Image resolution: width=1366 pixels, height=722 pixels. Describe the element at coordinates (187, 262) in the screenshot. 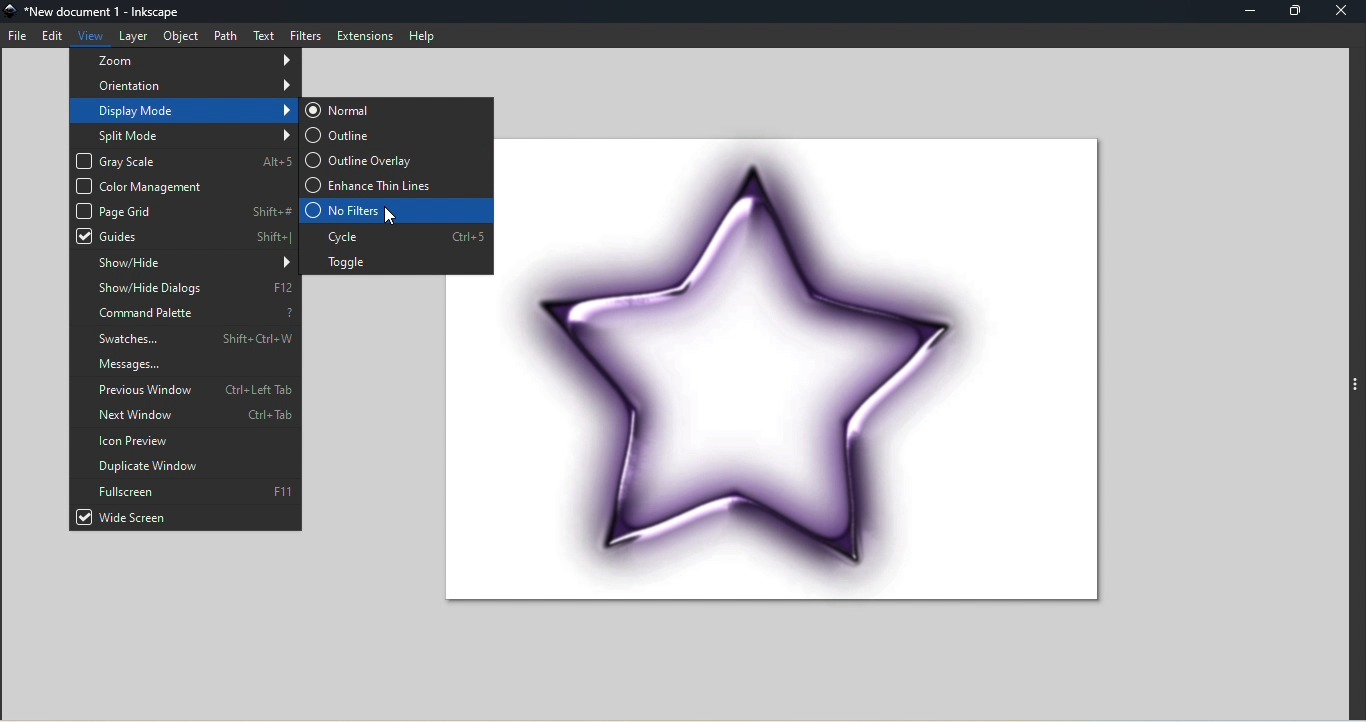

I see `Show/hide` at that location.